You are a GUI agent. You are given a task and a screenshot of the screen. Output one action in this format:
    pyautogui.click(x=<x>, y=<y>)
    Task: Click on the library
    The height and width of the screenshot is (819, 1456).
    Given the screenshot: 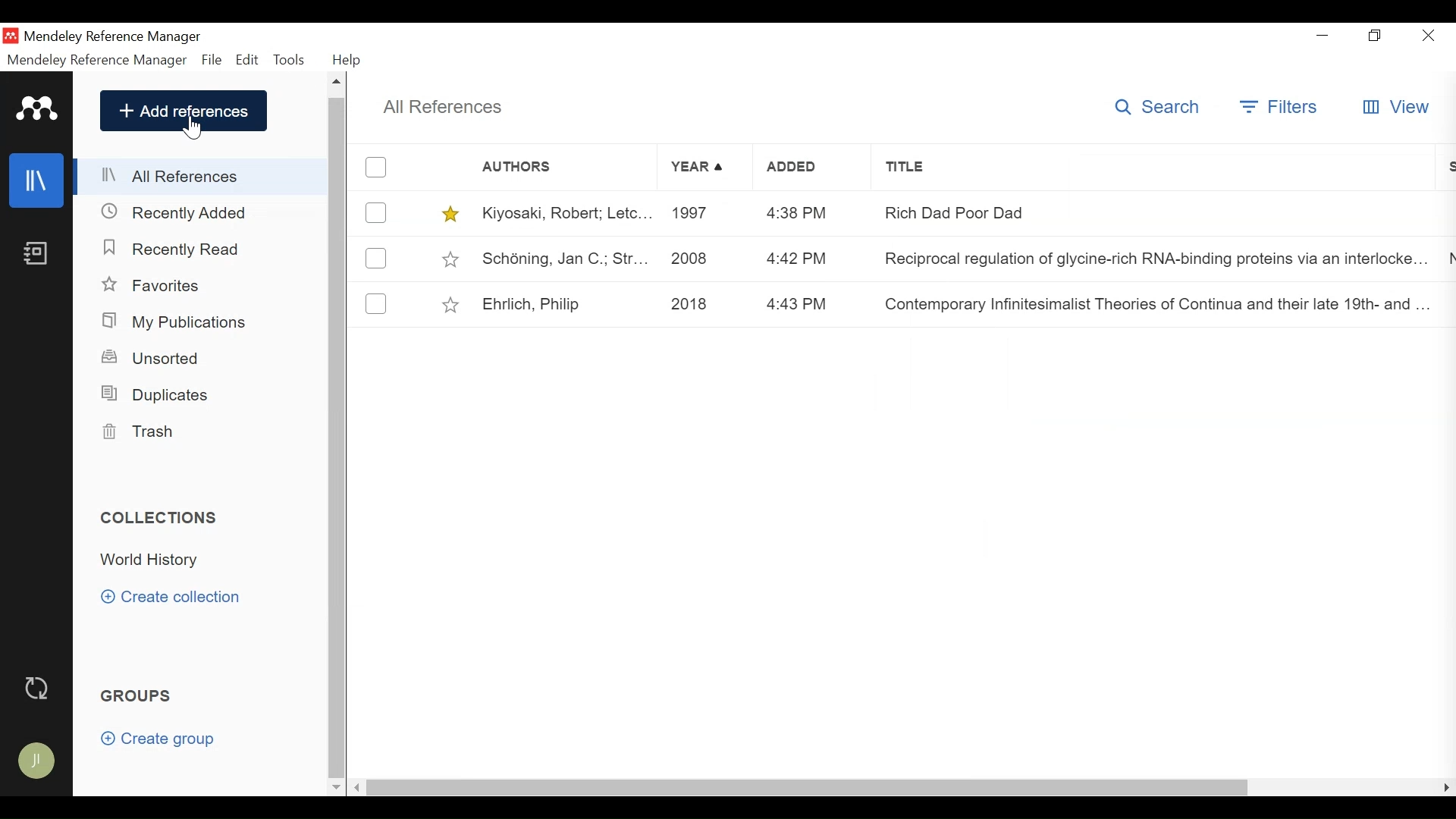 What is the action you would take?
    pyautogui.click(x=38, y=180)
    